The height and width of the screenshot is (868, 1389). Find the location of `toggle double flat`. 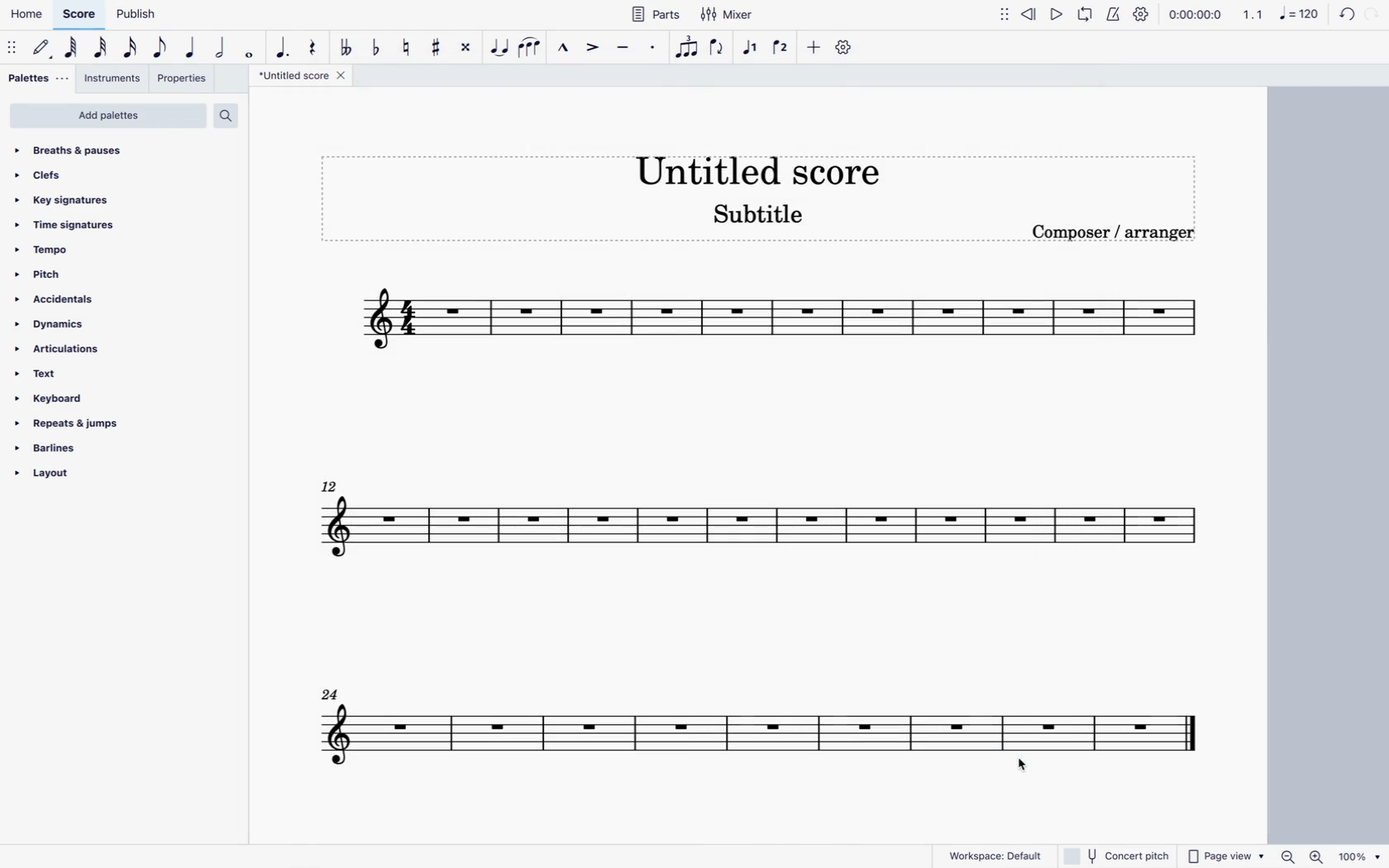

toggle double flat is located at coordinates (348, 50).